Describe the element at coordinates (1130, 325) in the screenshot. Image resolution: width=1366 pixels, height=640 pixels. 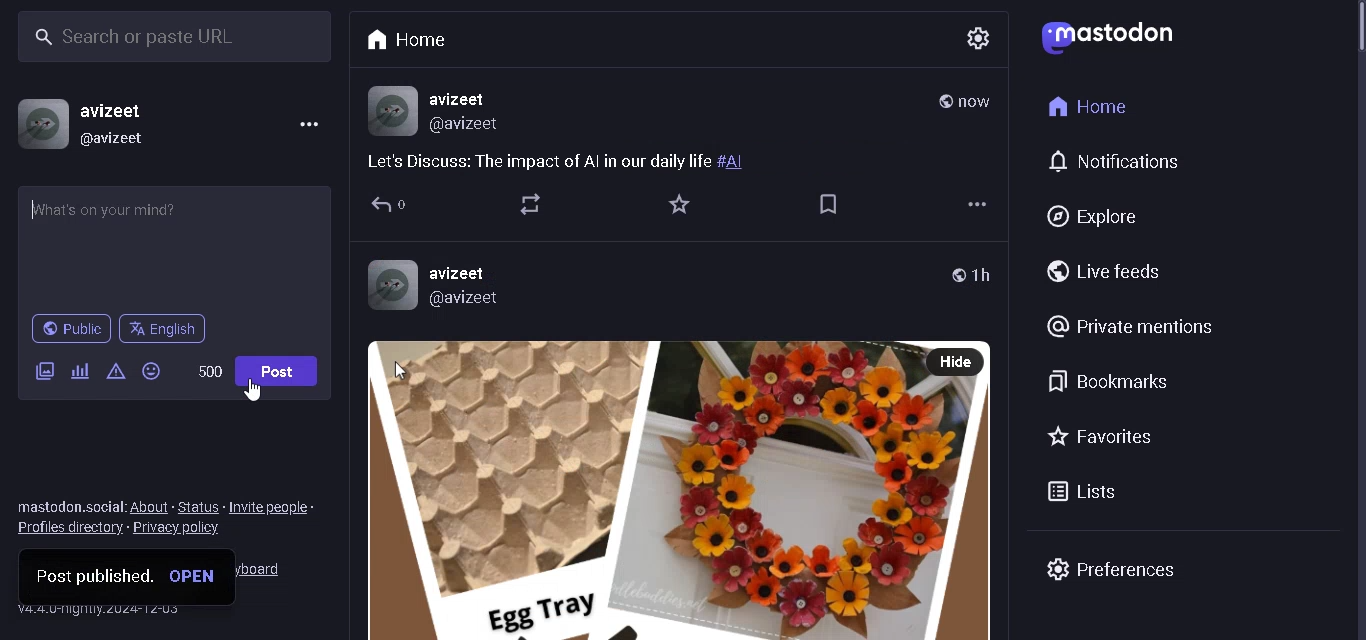
I see `PRIVATE MENTIONS` at that location.